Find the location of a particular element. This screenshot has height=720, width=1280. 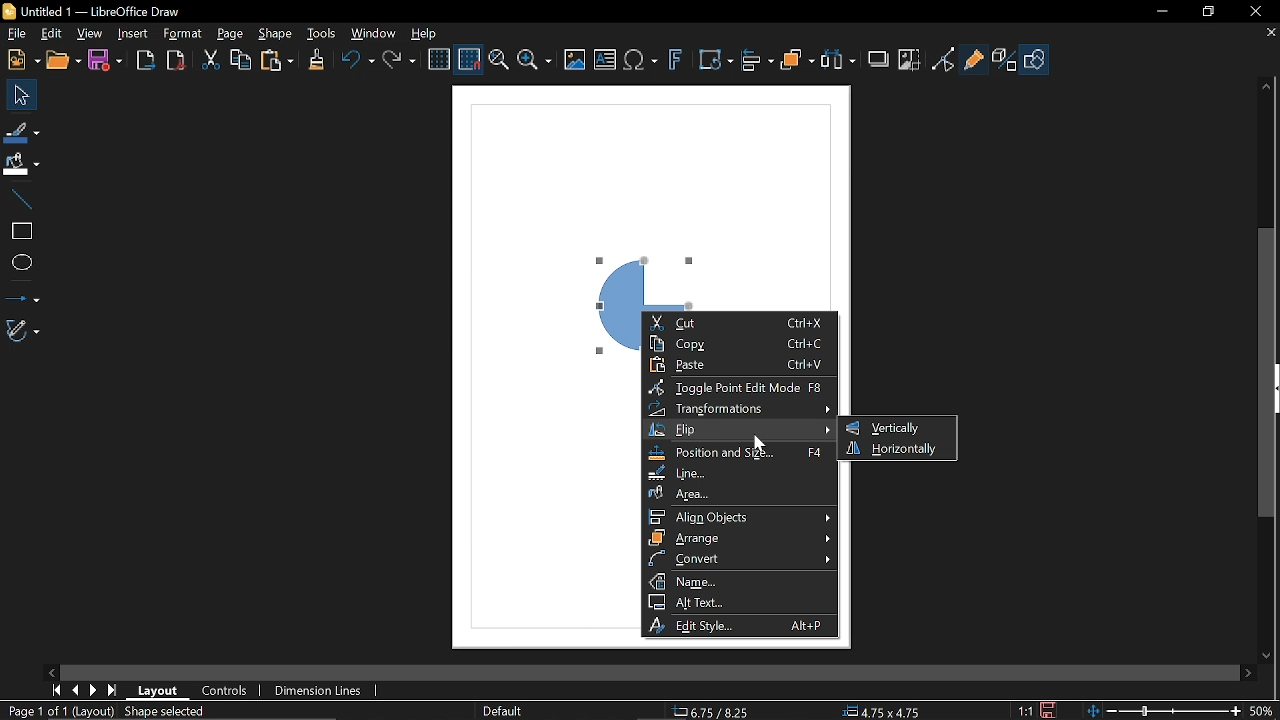

Controls is located at coordinates (226, 691).